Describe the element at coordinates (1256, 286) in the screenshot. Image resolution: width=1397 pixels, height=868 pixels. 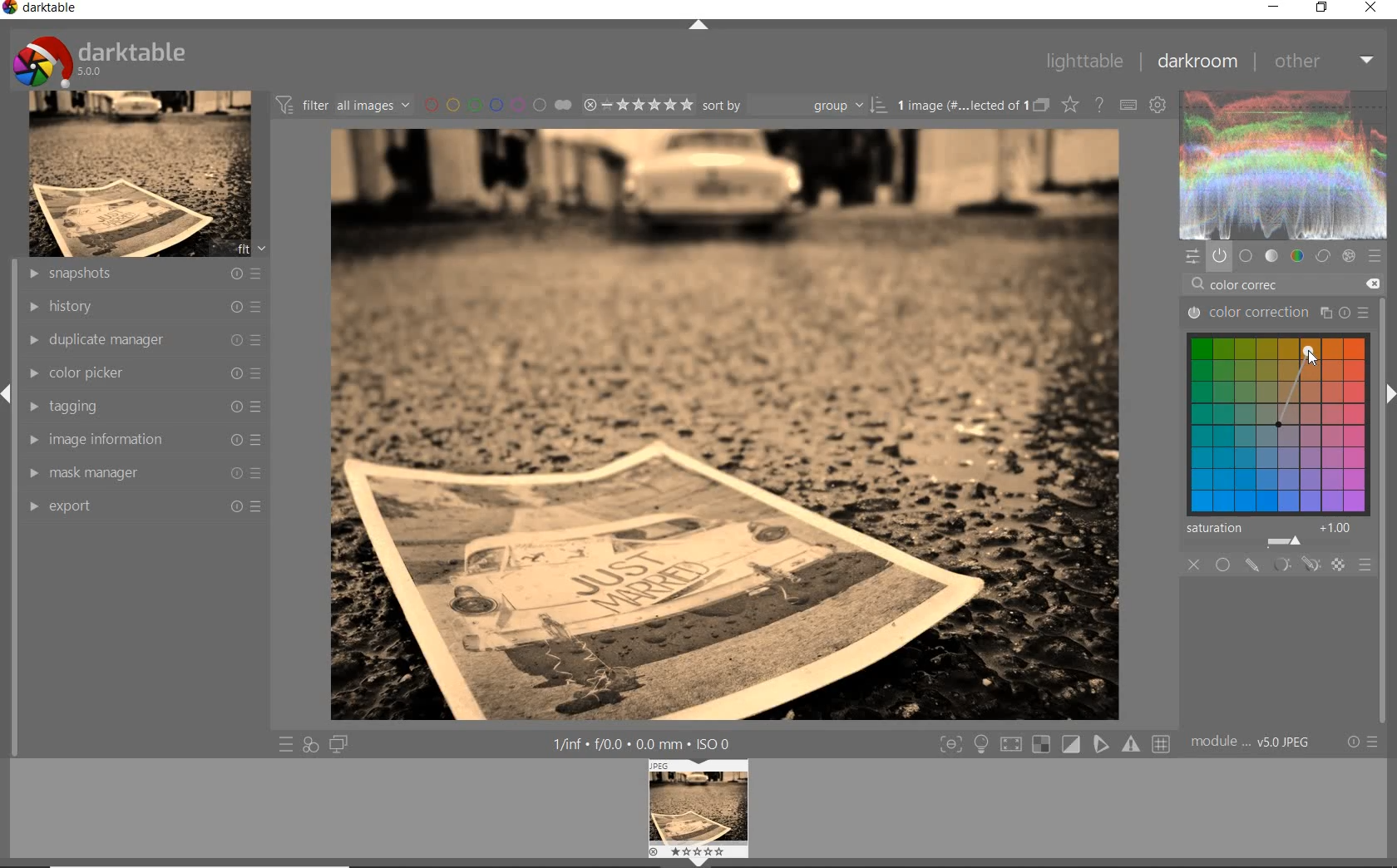
I see `color correc` at that location.